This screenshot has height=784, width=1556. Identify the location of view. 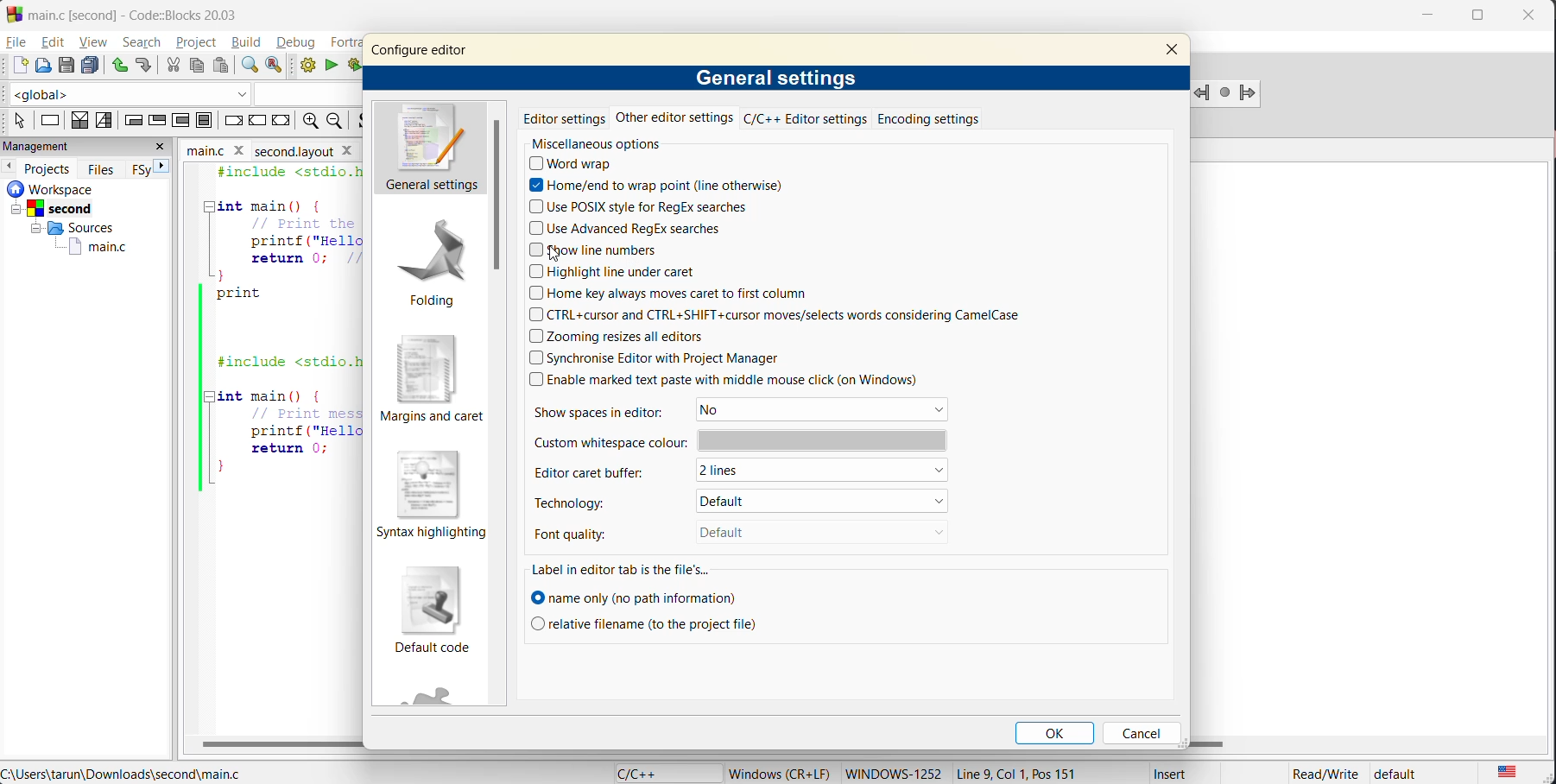
(98, 42).